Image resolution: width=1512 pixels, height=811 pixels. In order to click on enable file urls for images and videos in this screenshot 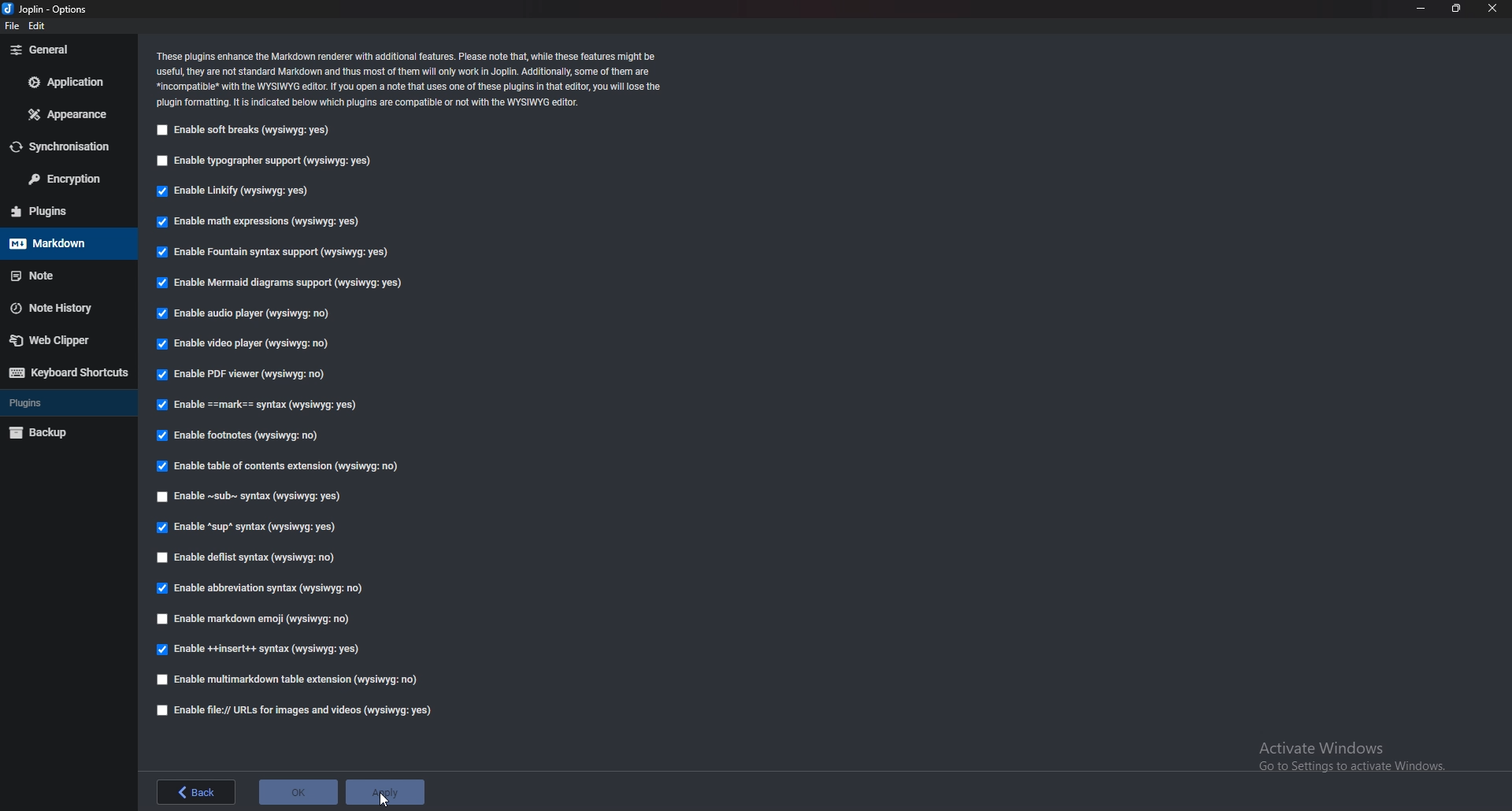, I will do `click(295, 711)`.